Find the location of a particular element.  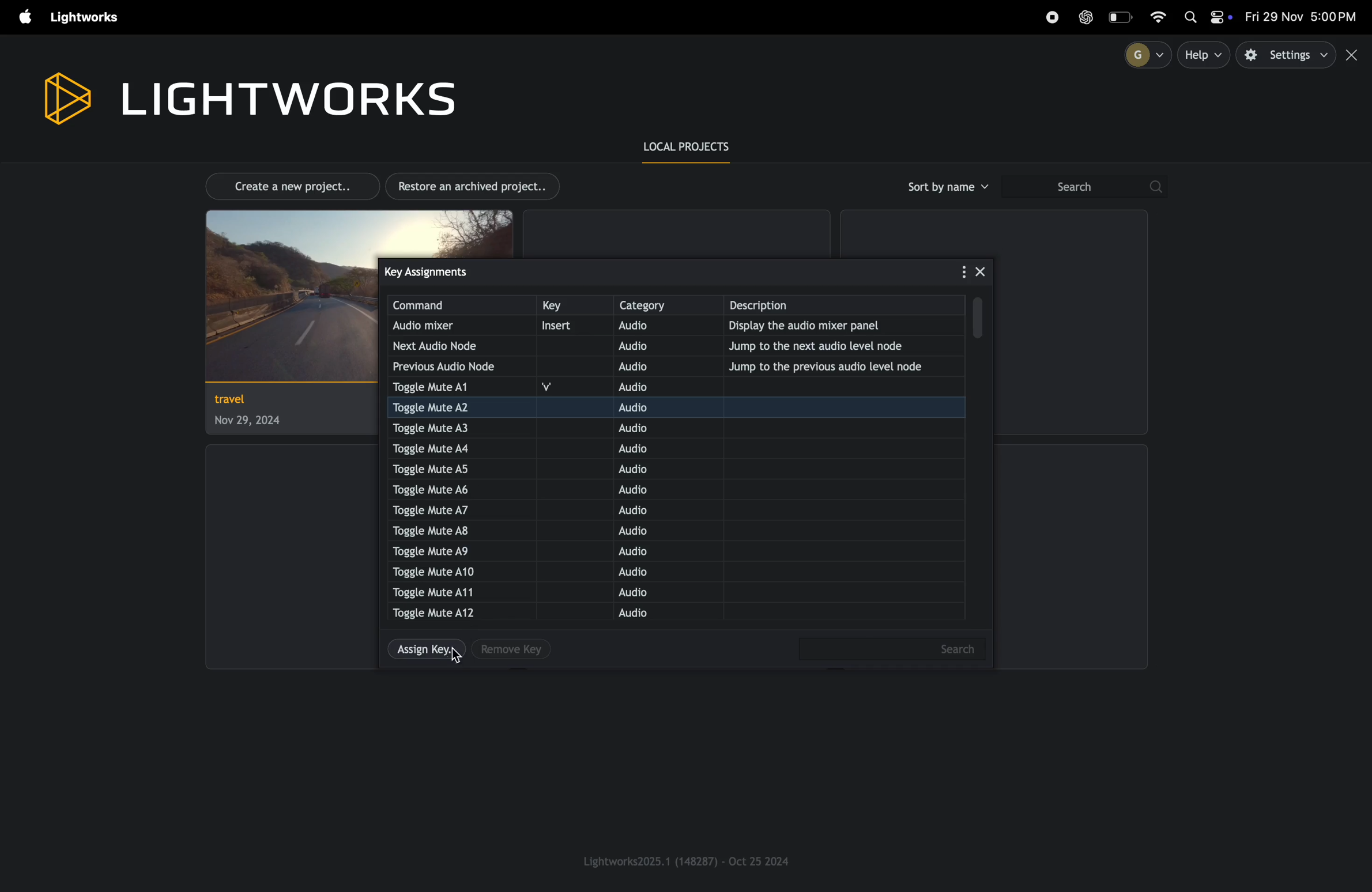

jump to previous note is located at coordinates (834, 366).